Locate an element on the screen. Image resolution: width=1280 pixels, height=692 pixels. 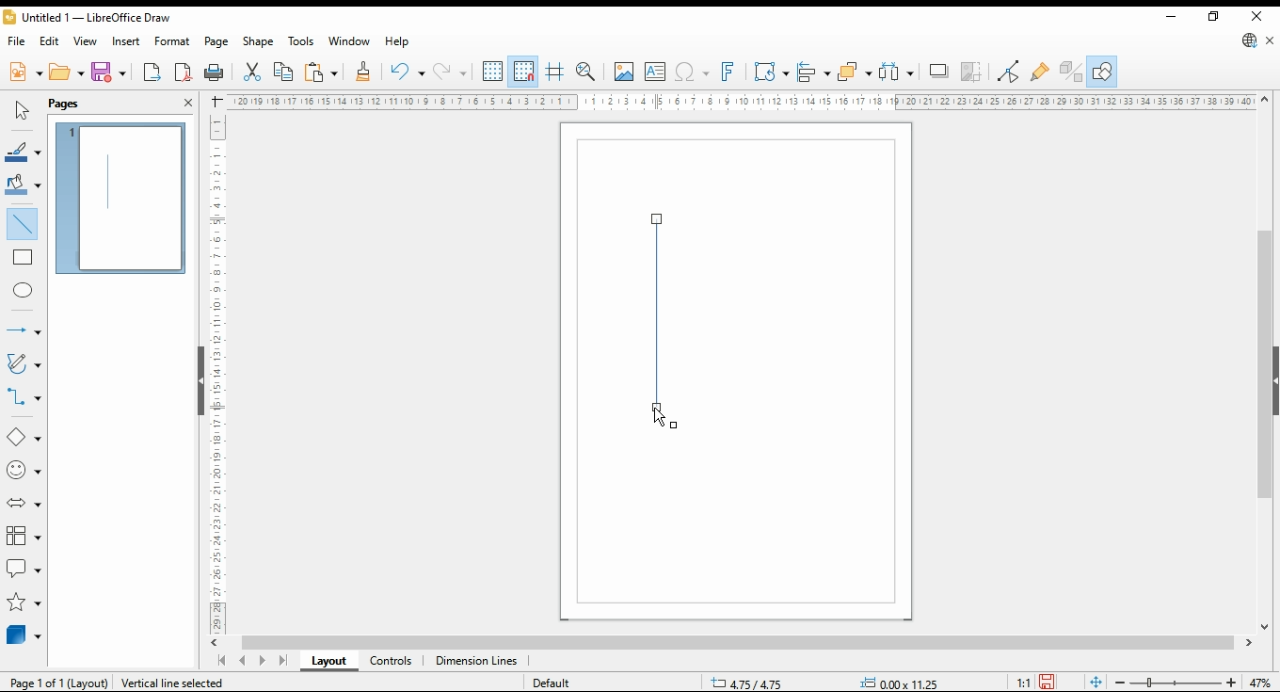
export as PDF is located at coordinates (183, 72).